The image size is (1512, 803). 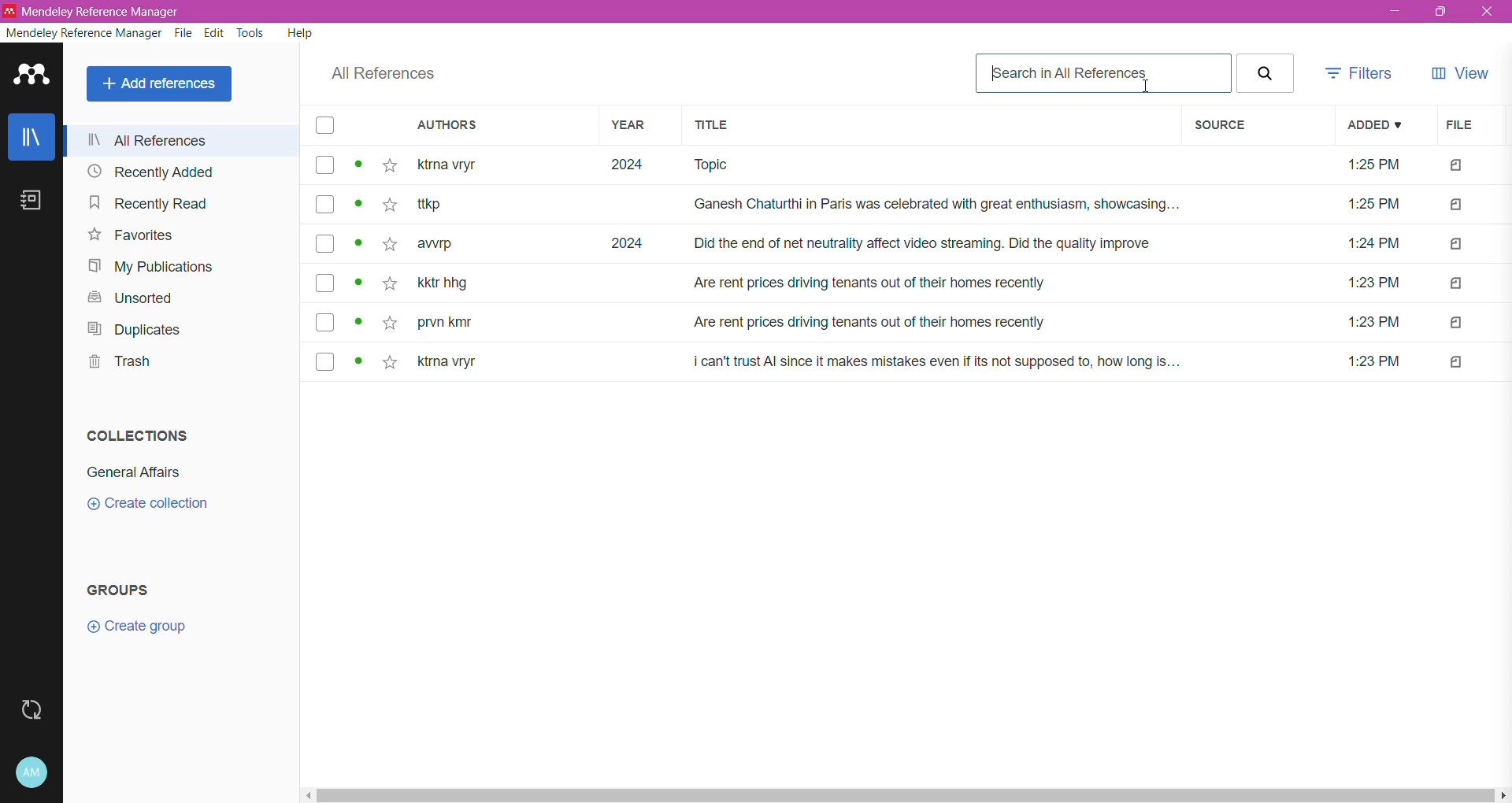 I want to click on File, so click(x=181, y=33).